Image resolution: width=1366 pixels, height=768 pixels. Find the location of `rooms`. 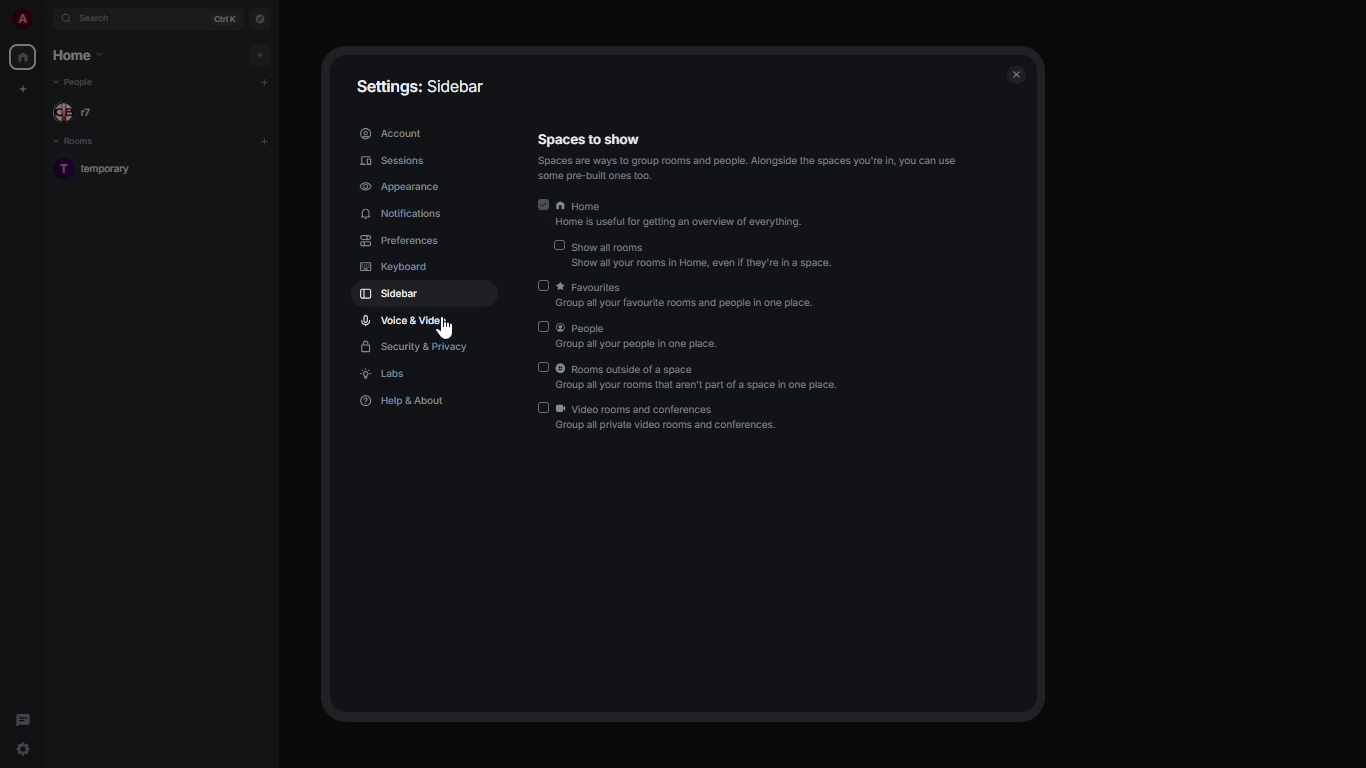

rooms is located at coordinates (78, 142).